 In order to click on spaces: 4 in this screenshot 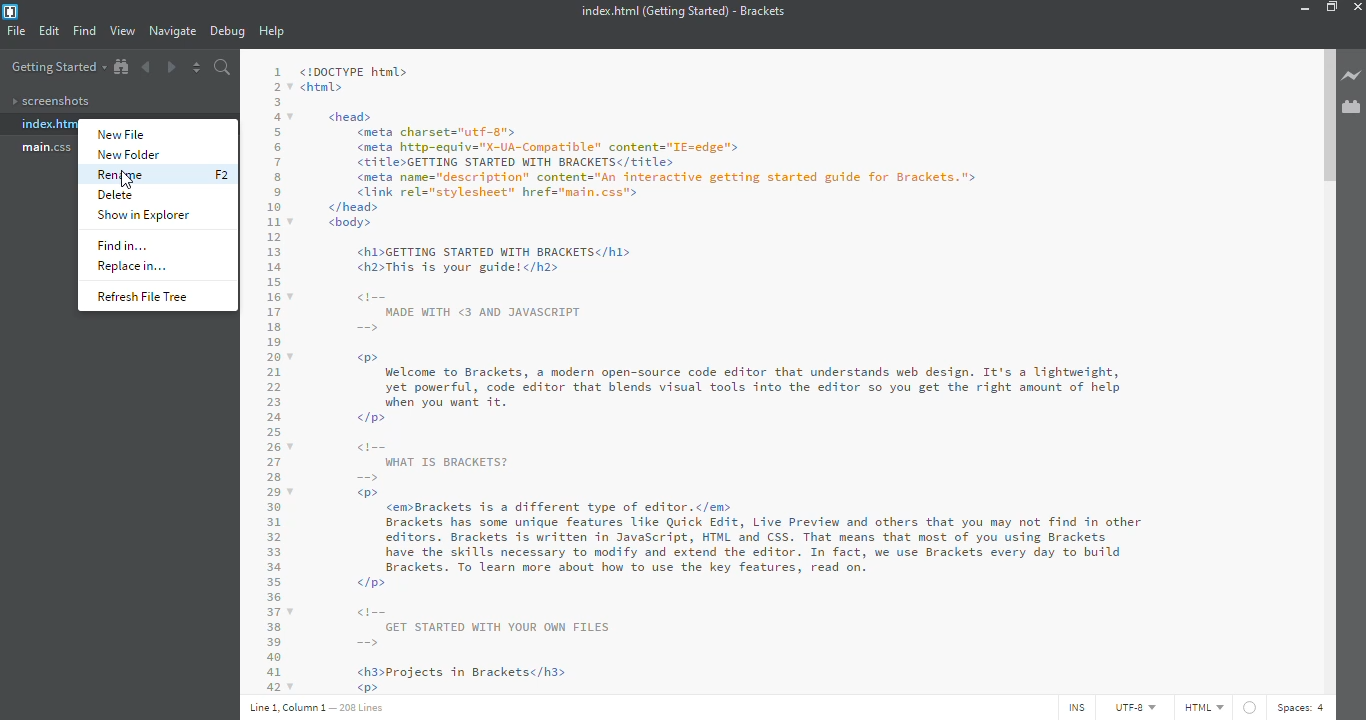, I will do `click(1304, 706)`.